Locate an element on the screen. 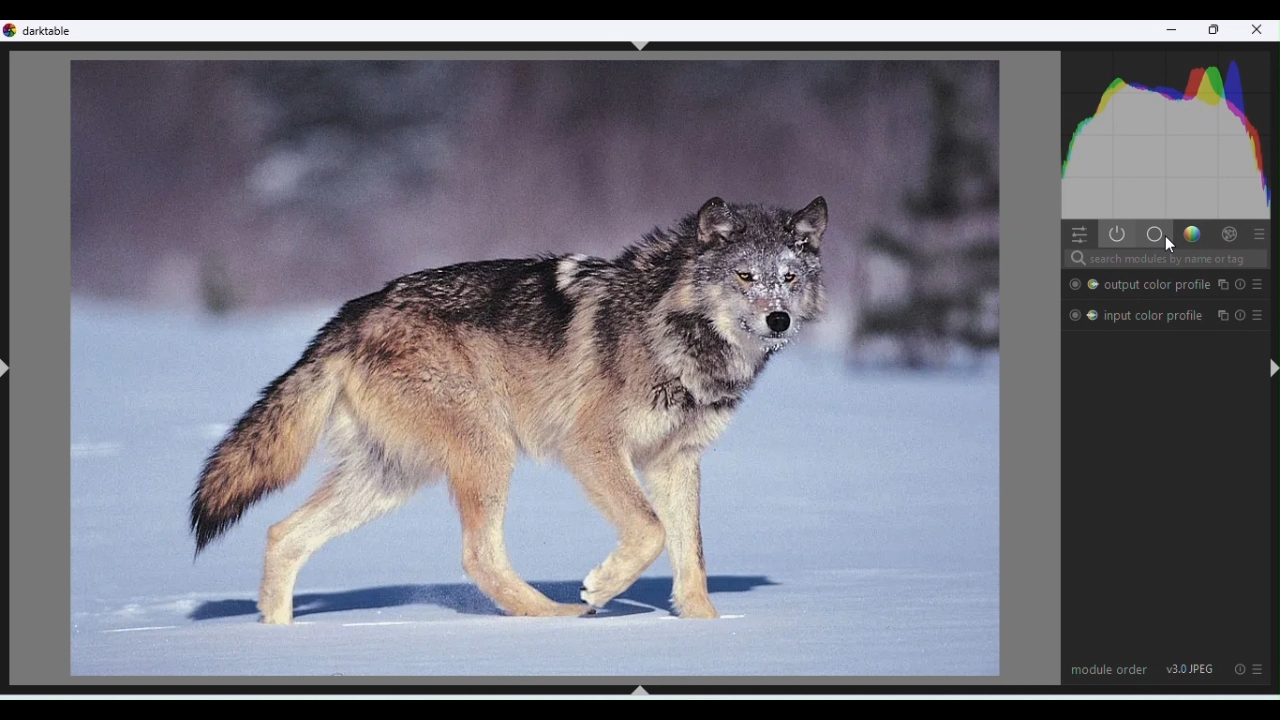 The width and height of the screenshot is (1280, 720). ctrl+shift+r is located at coordinates (1271, 368).